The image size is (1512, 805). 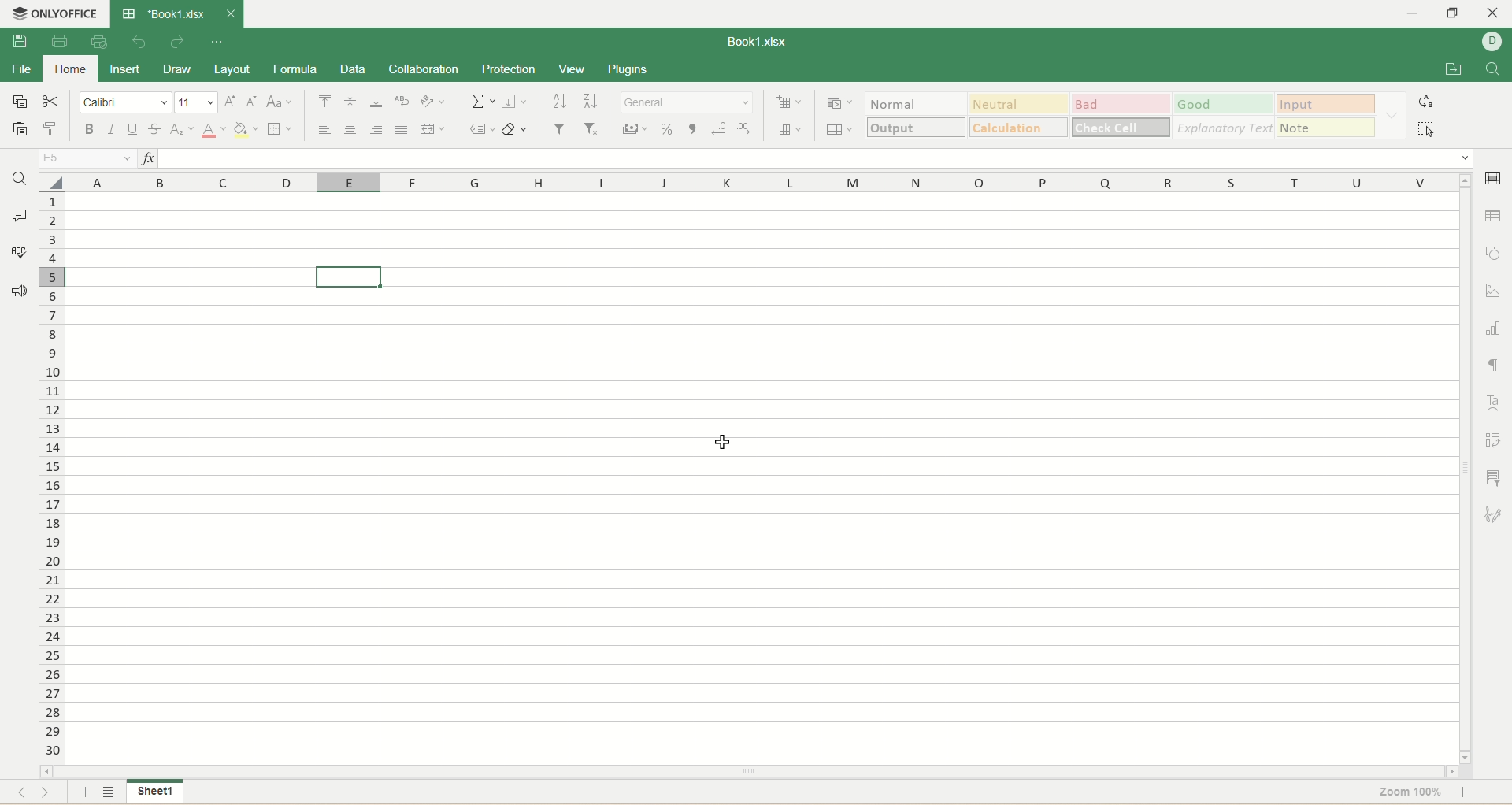 I want to click on object settings, so click(x=1495, y=254).